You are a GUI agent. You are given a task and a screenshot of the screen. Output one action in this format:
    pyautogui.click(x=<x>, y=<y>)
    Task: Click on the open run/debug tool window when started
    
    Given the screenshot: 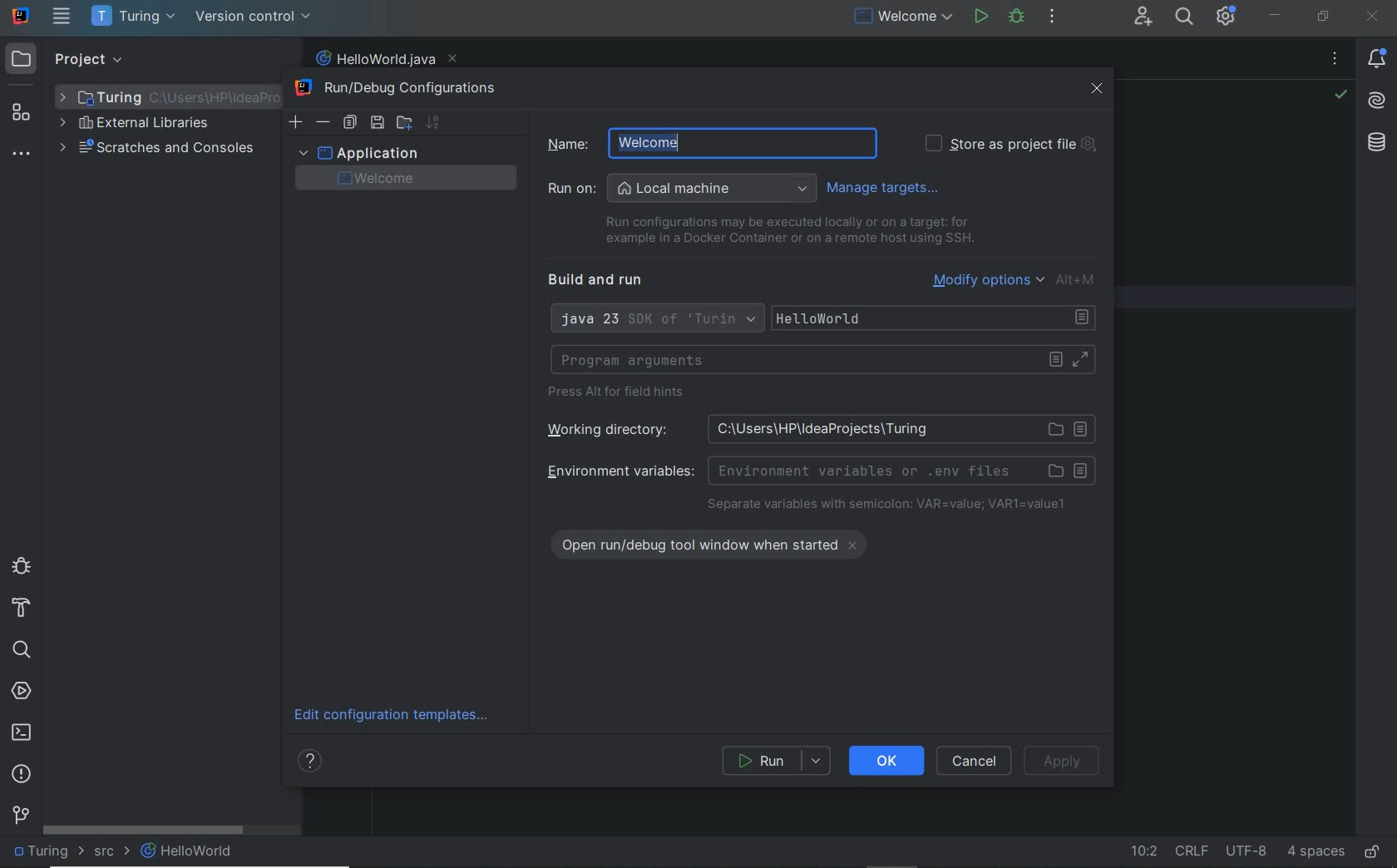 What is the action you would take?
    pyautogui.click(x=719, y=542)
    